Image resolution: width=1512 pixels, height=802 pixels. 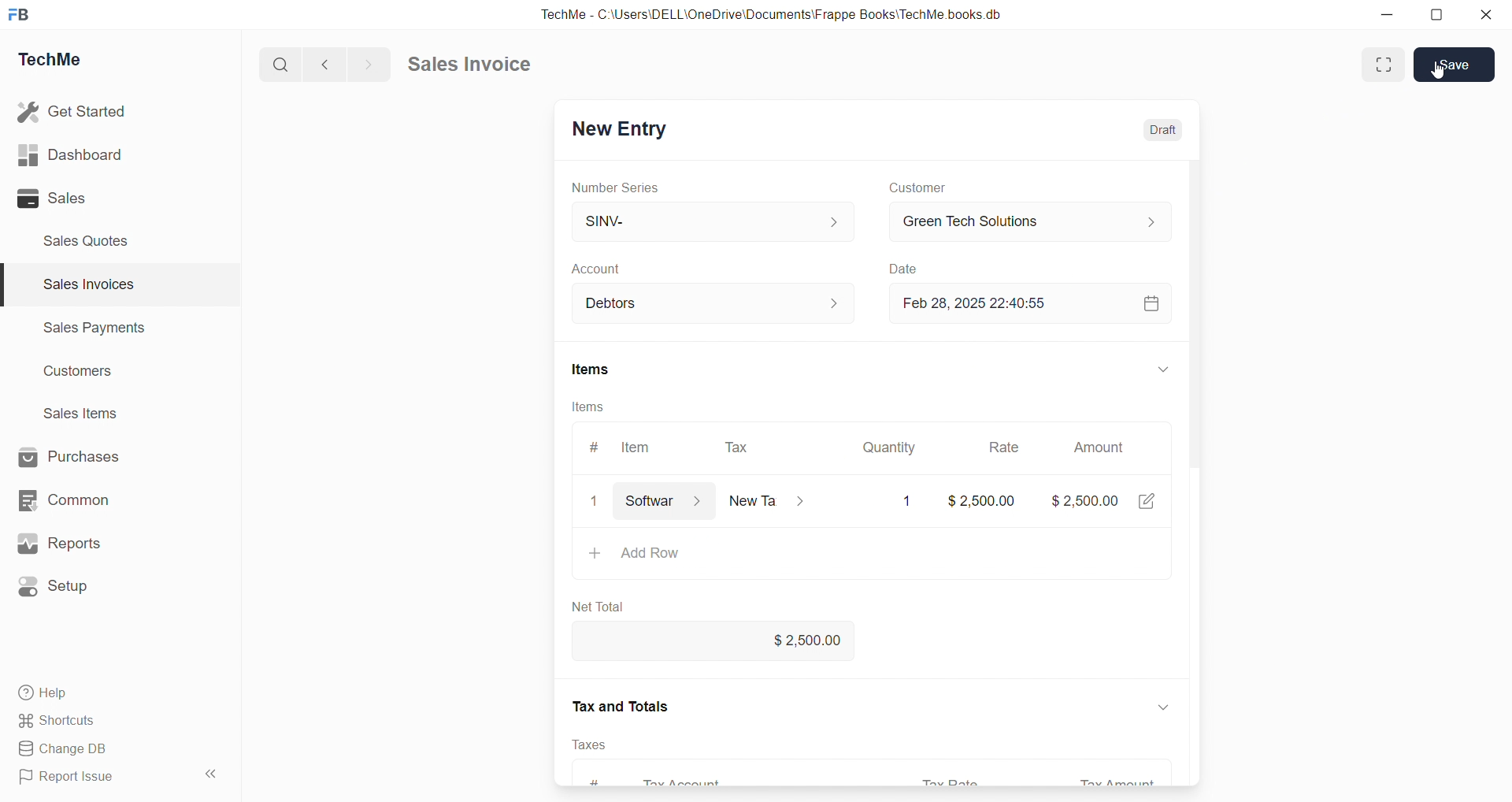 What do you see at coordinates (1032, 221) in the screenshot?
I see `Green Tech Solutions` at bounding box center [1032, 221].